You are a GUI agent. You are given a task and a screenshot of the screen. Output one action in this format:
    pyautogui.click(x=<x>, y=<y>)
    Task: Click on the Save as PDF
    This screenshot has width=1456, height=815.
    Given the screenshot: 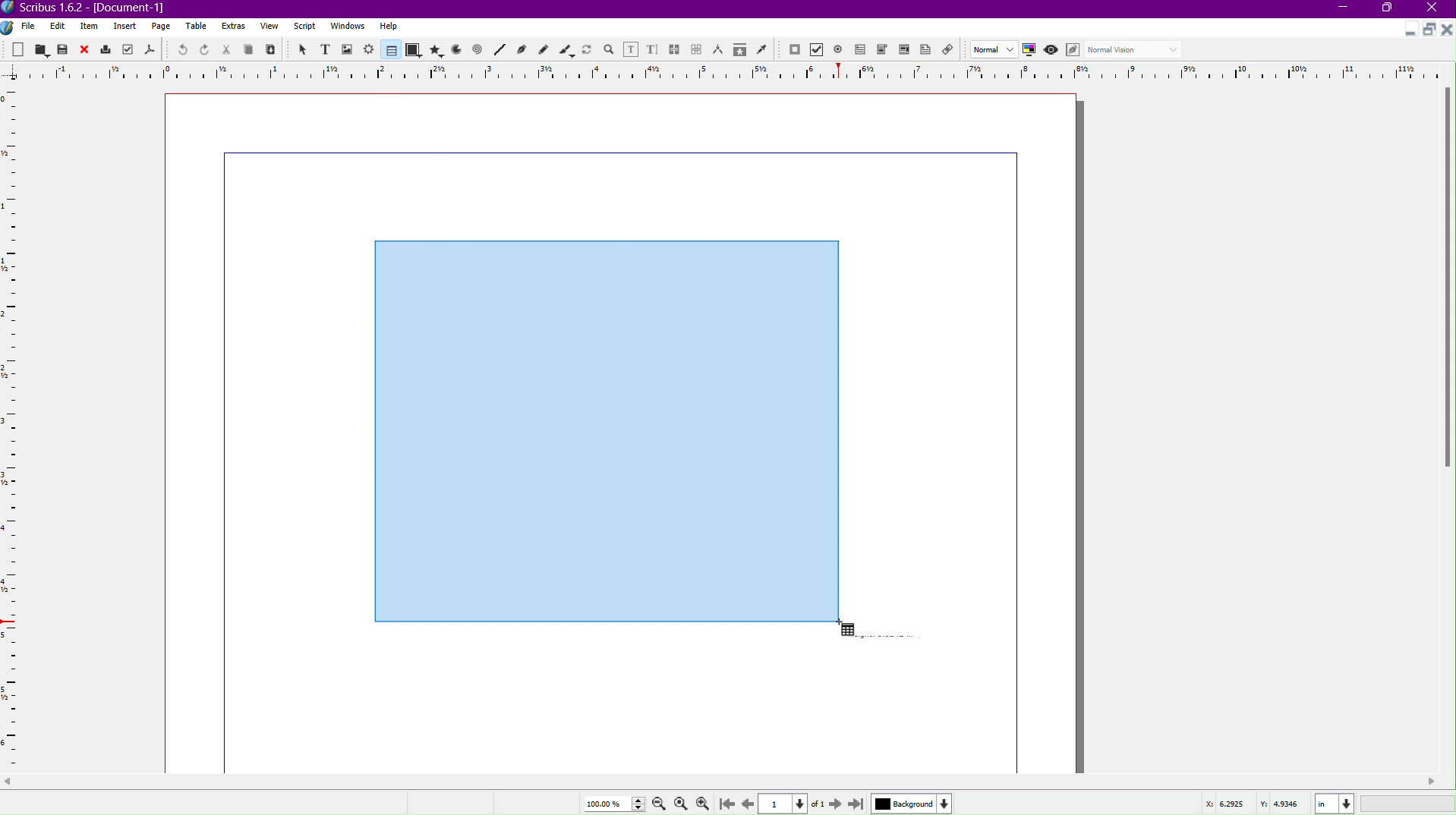 What is the action you would take?
    pyautogui.click(x=149, y=50)
    